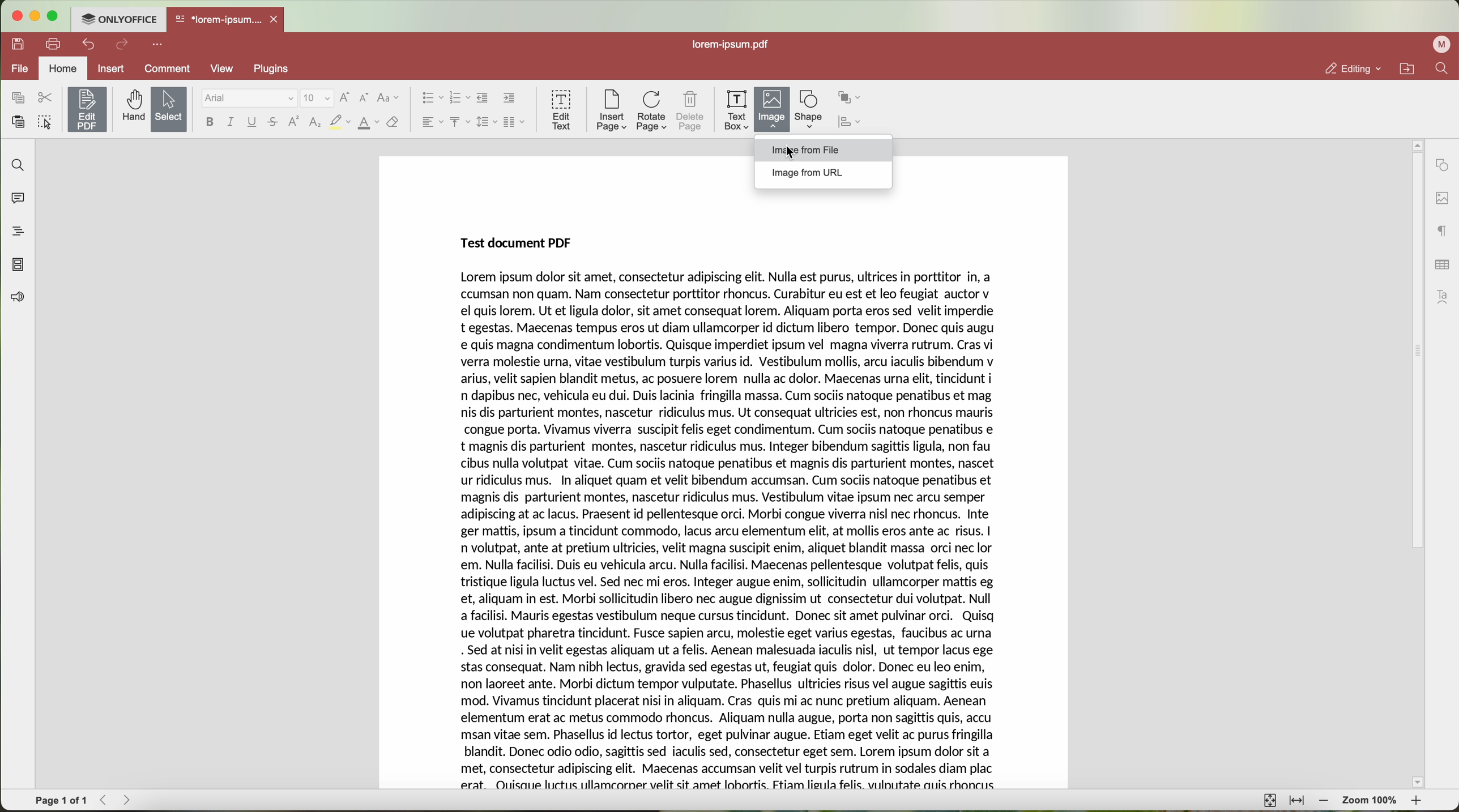 The height and width of the screenshot is (812, 1459). Describe the element at coordinates (459, 99) in the screenshot. I see `numbering` at that location.